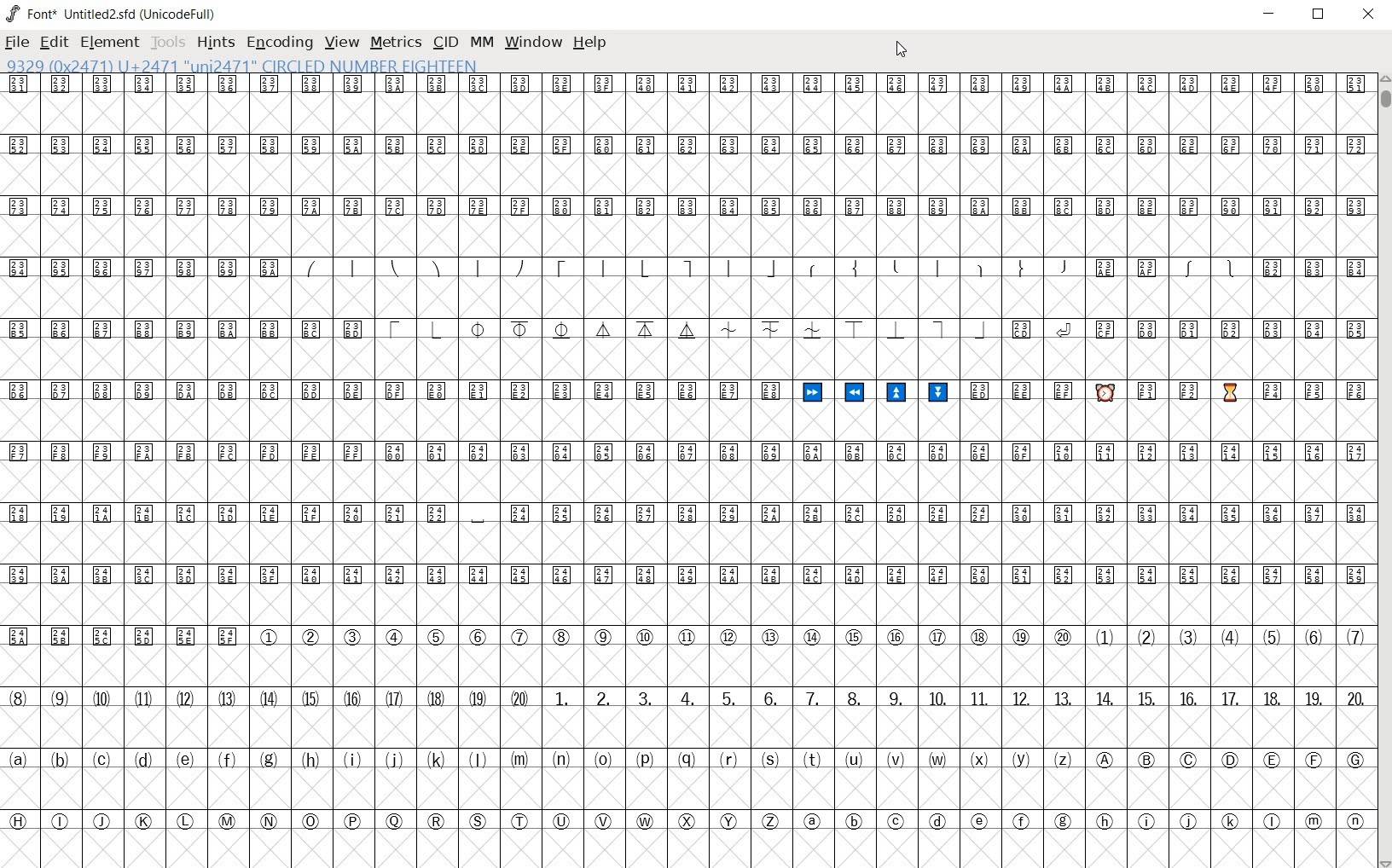 The image size is (1392, 868). I want to click on restore, so click(1319, 14).